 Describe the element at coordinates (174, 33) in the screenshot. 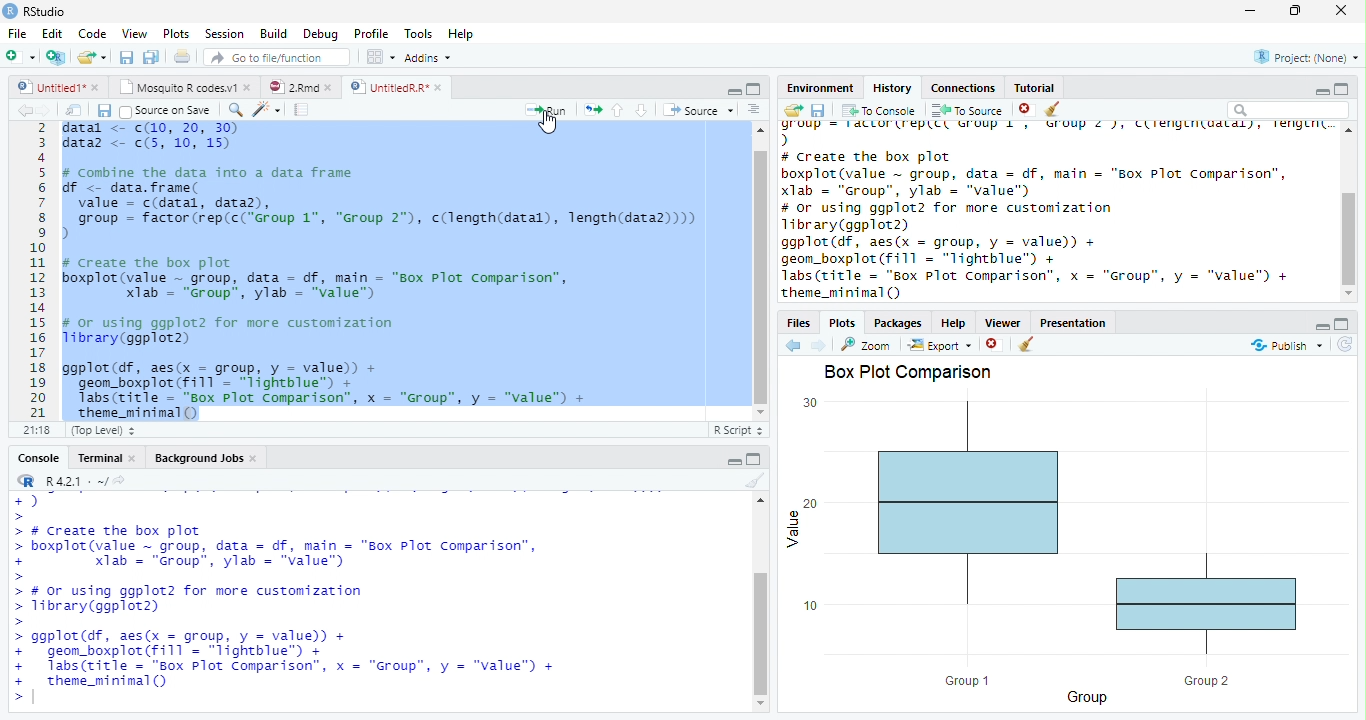

I see `Plots` at that location.